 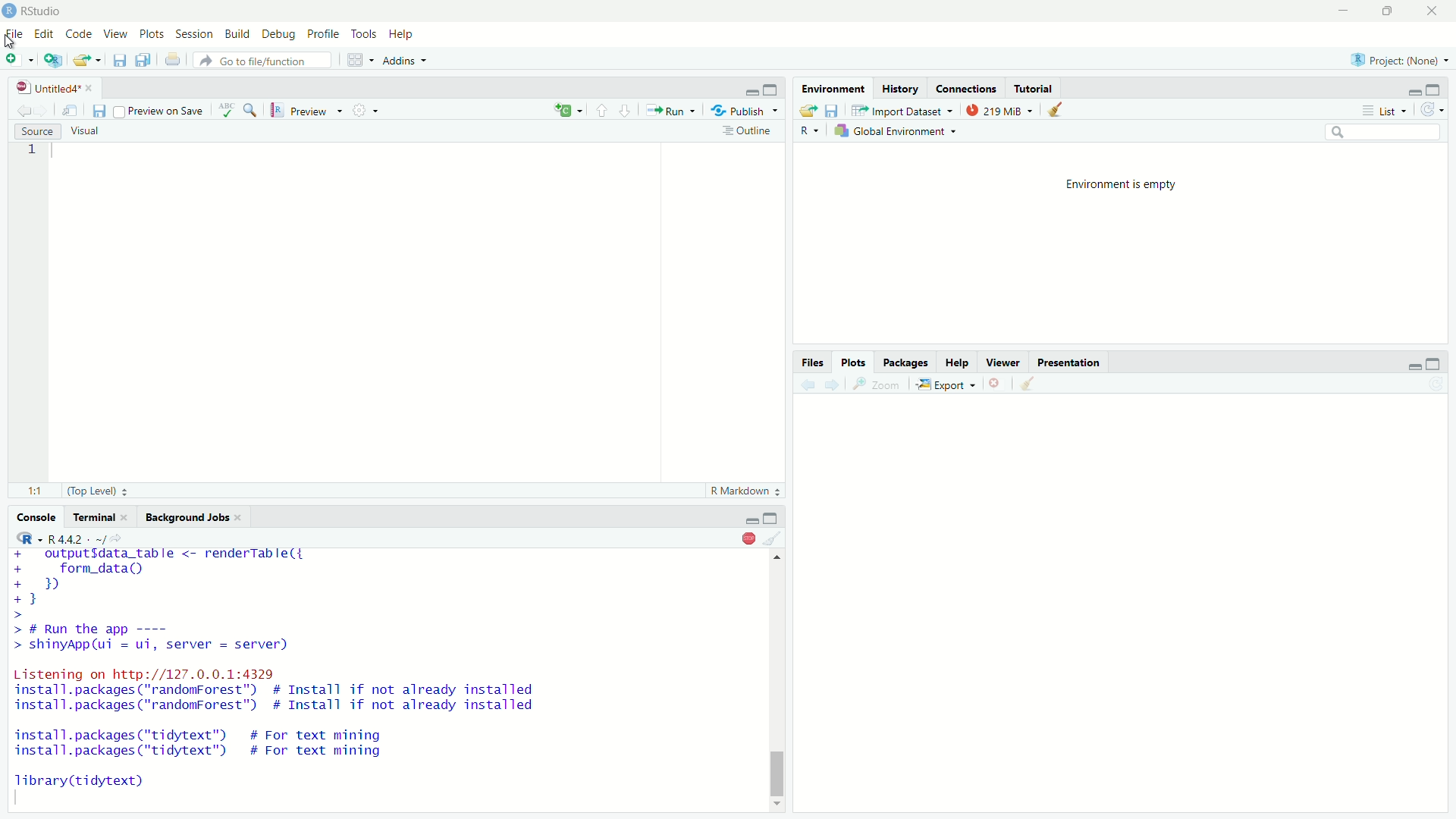 What do you see at coordinates (813, 362) in the screenshot?
I see `files` at bounding box center [813, 362].